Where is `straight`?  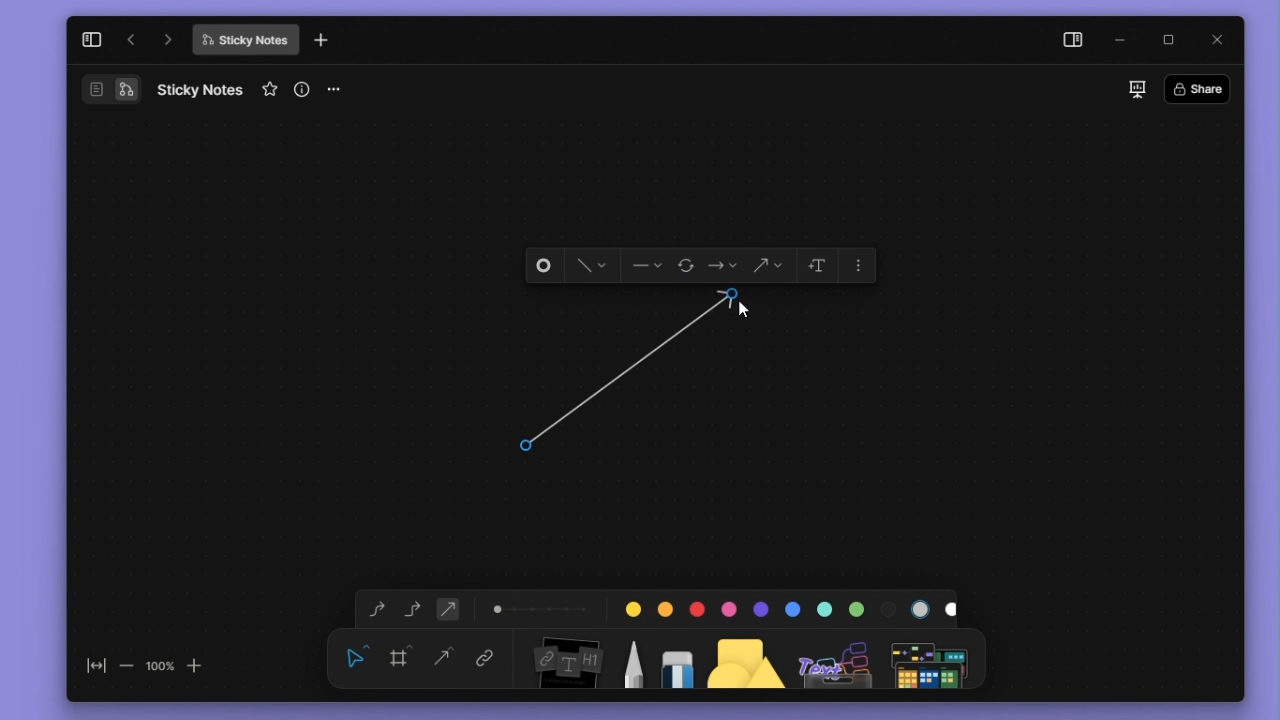 straight is located at coordinates (448, 608).